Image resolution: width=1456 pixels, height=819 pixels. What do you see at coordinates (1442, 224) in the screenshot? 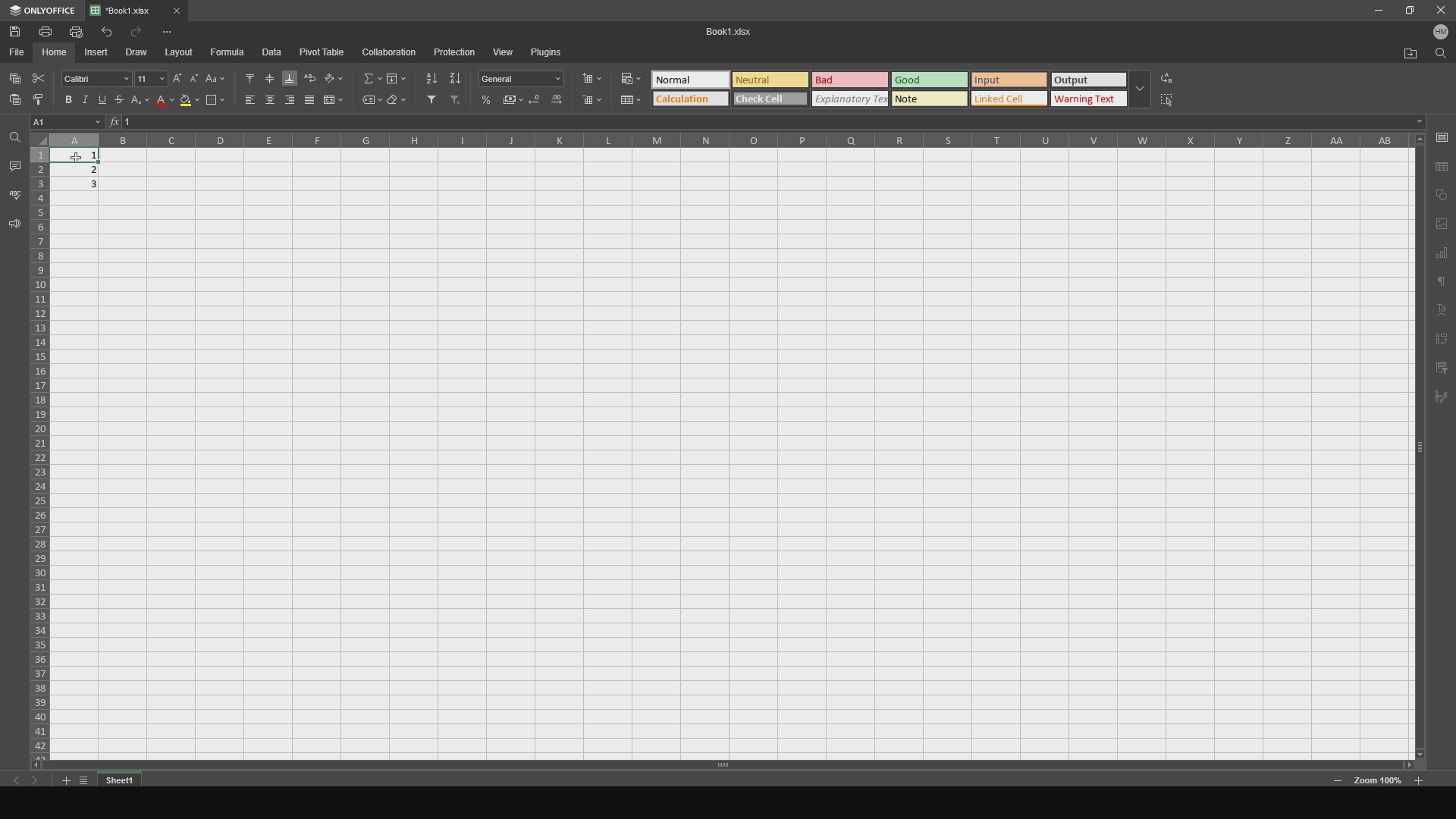
I see `page` at bounding box center [1442, 224].